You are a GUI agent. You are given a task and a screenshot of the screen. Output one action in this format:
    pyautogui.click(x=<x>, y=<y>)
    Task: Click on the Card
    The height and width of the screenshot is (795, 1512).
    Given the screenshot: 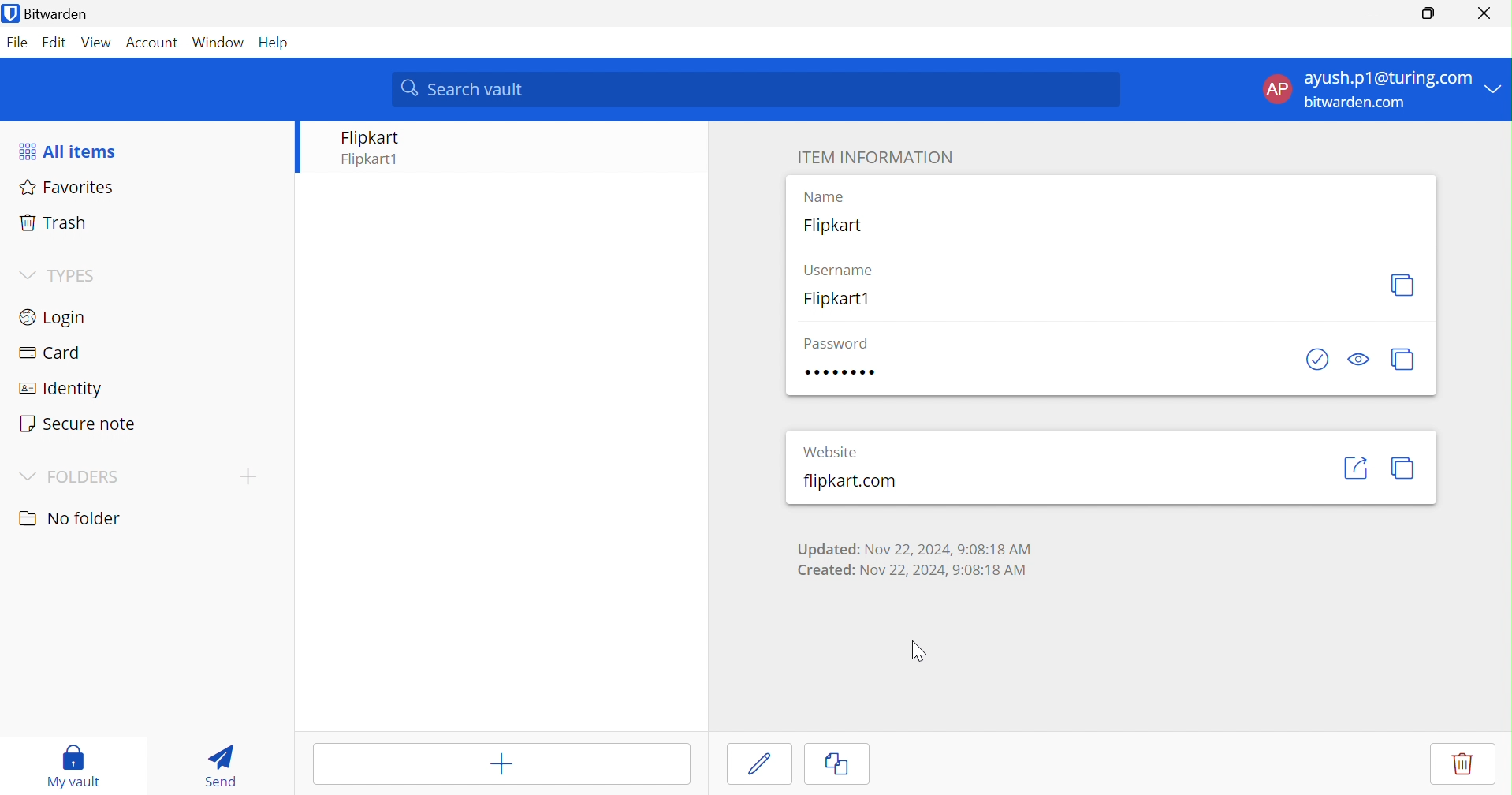 What is the action you would take?
    pyautogui.click(x=53, y=353)
    